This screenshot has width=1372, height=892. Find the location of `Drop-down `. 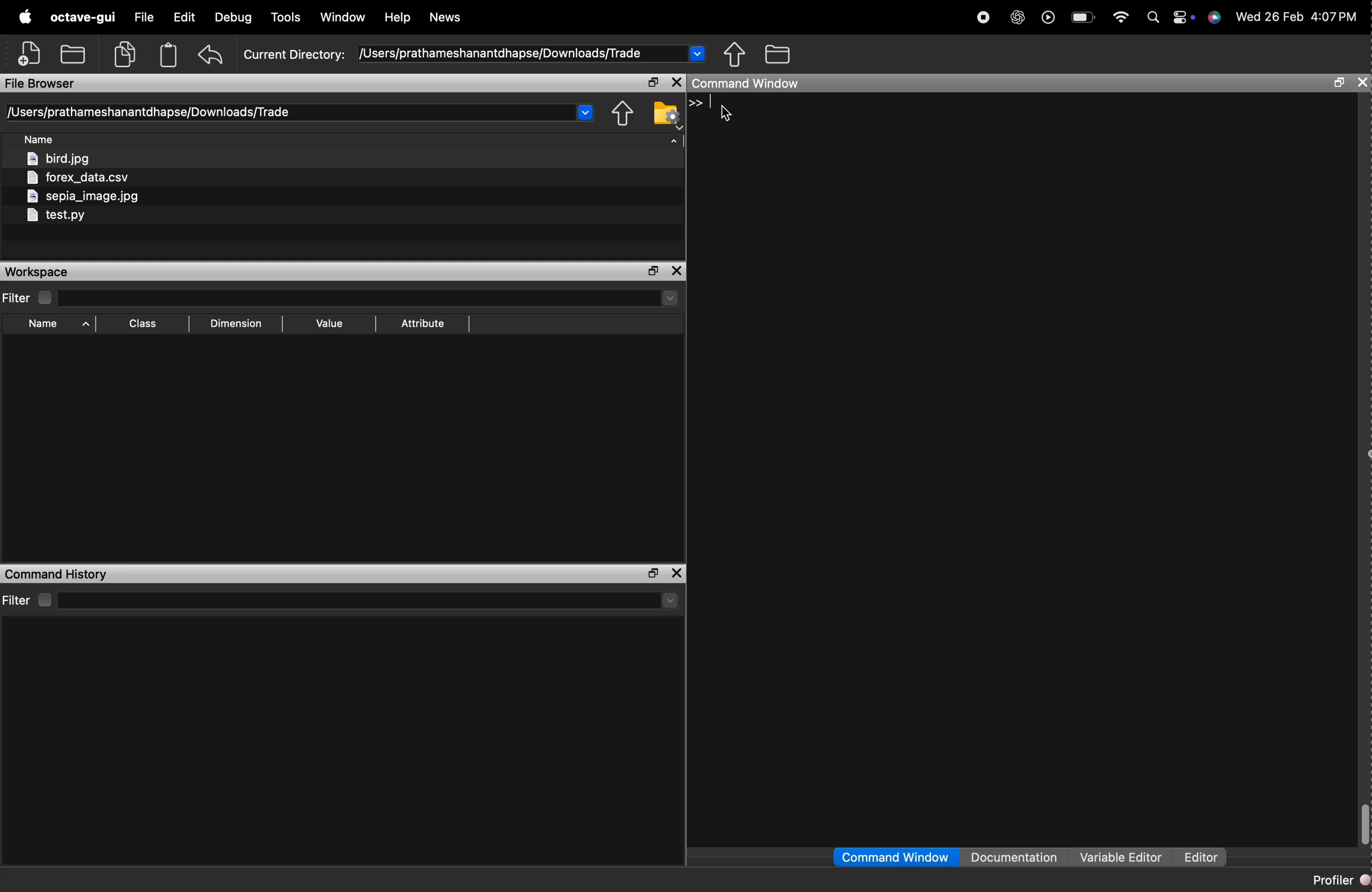

Drop-down  is located at coordinates (585, 112).